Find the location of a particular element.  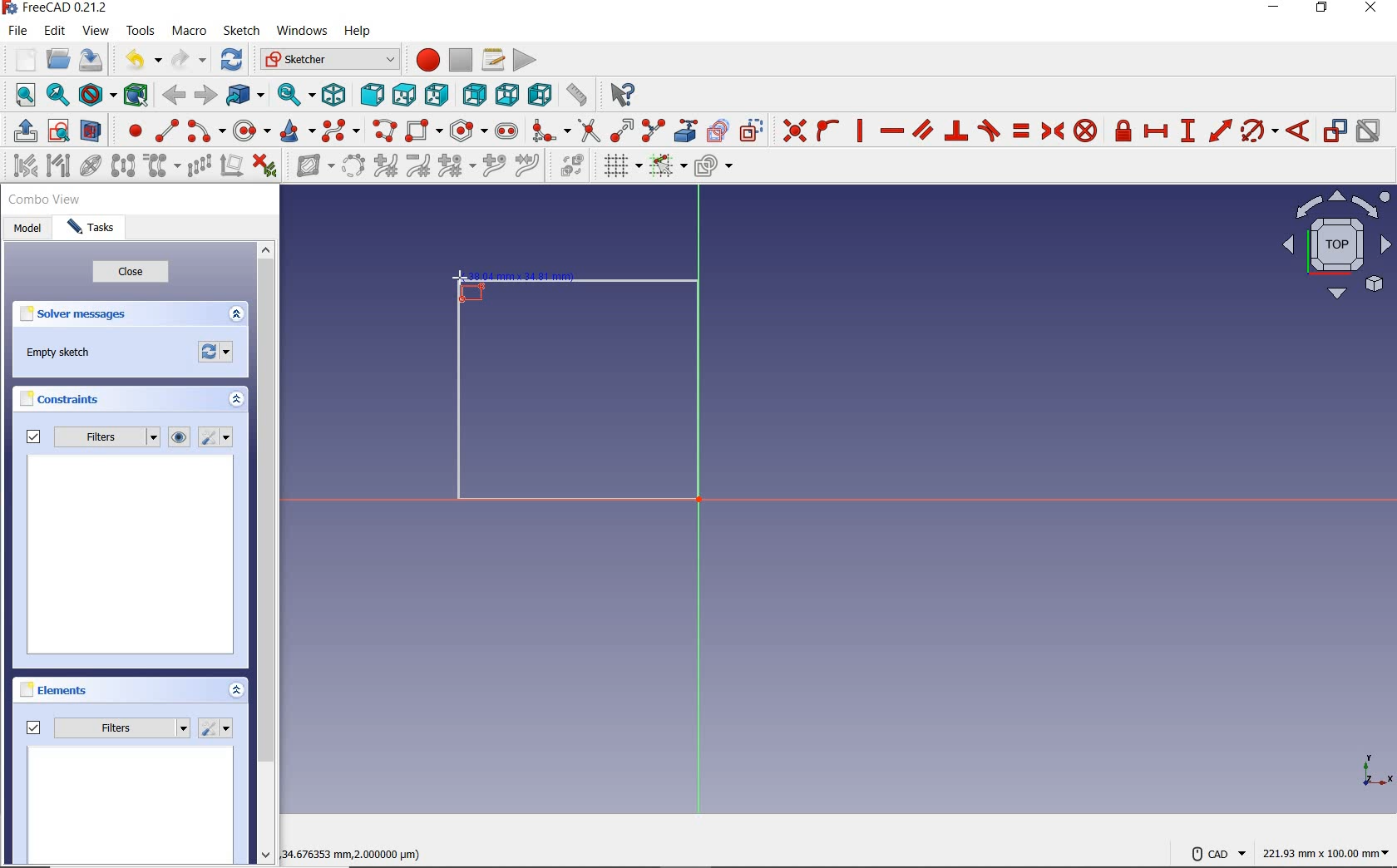

new is located at coordinates (19, 59).